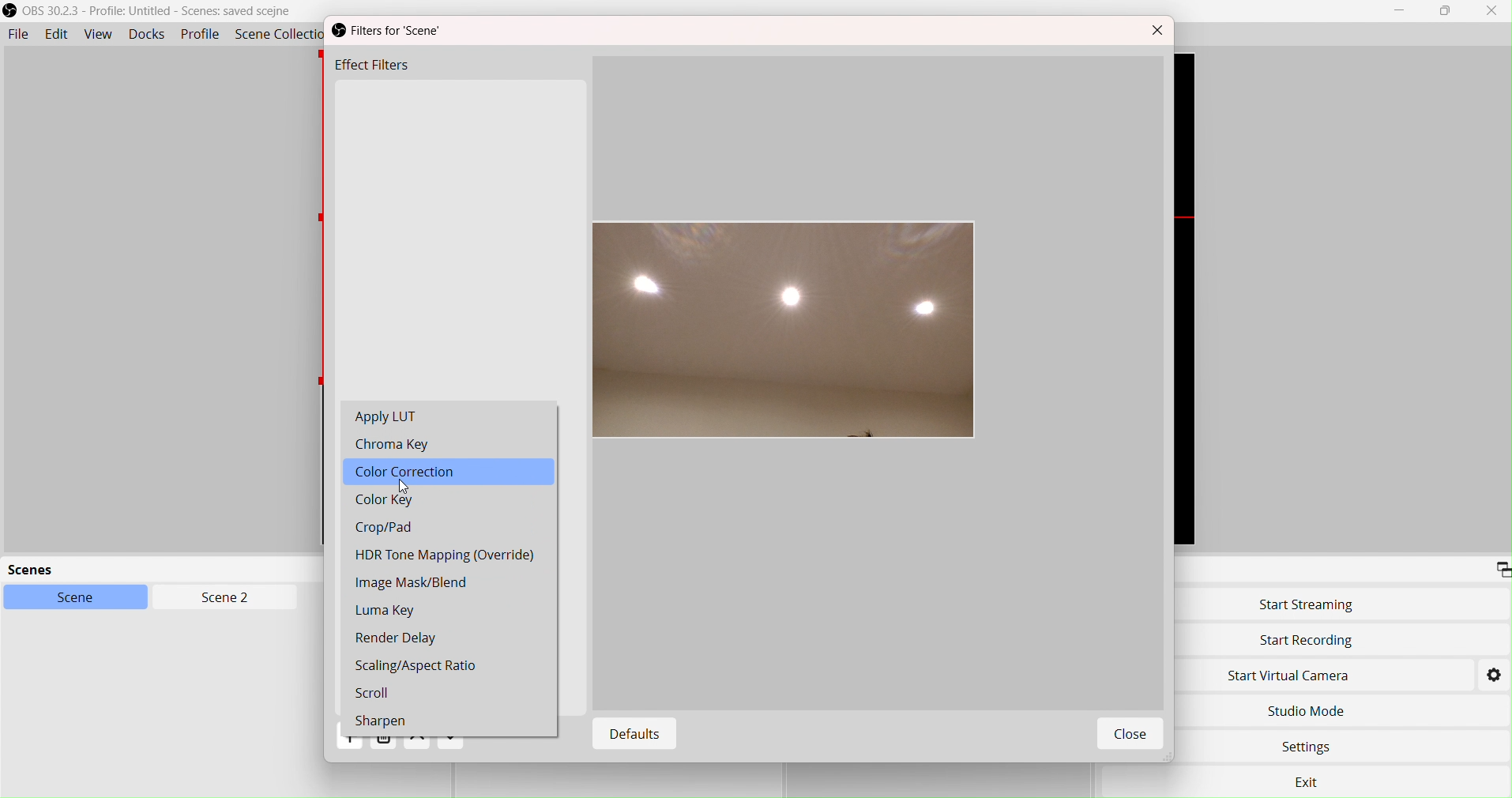 Image resolution: width=1512 pixels, height=798 pixels. What do you see at coordinates (386, 529) in the screenshot?
I see `Crop/Pad` at bounding box center [386, 529].